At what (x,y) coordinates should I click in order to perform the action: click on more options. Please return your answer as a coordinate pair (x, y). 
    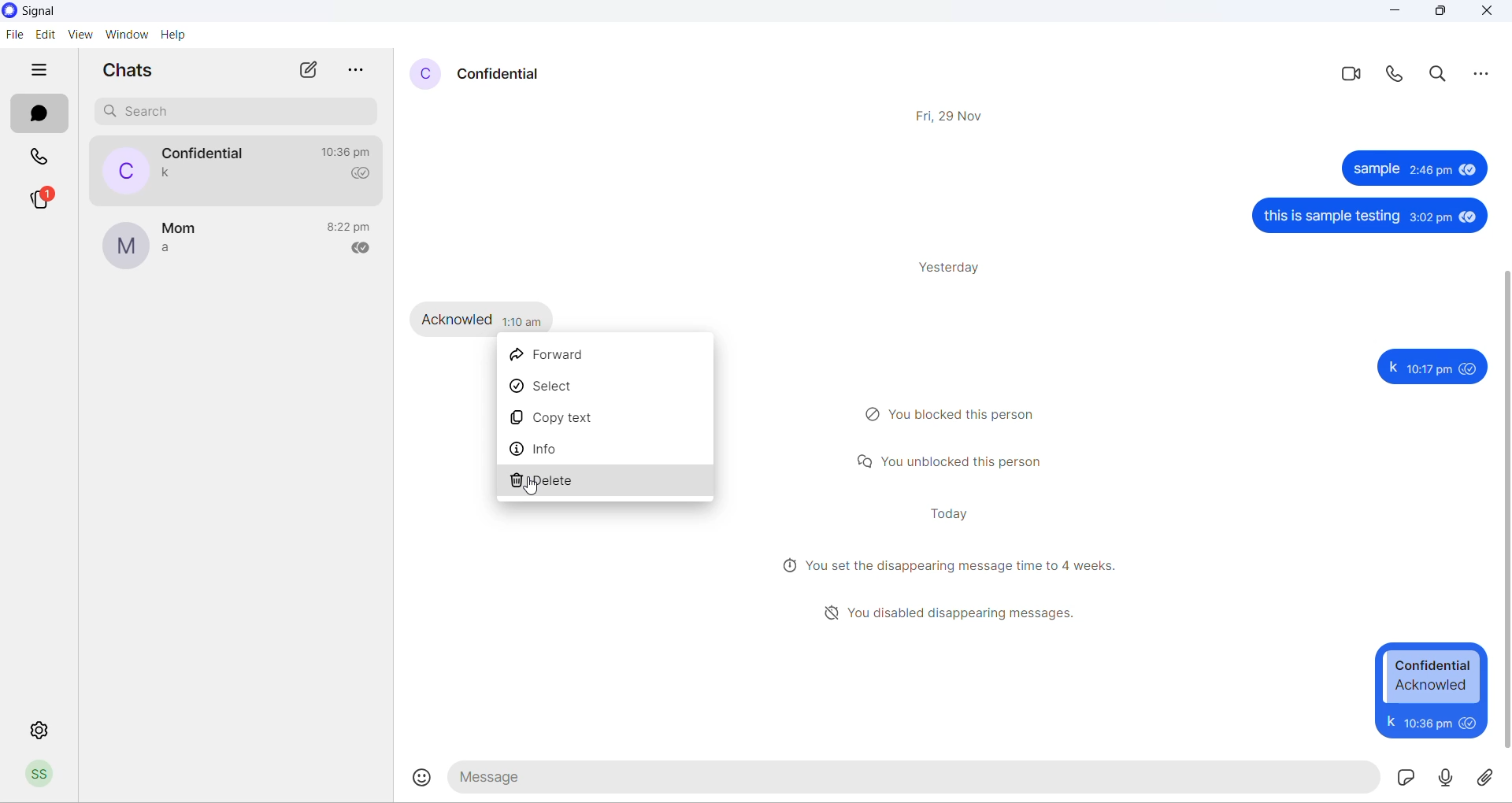
    Looking at the image, I should click on (365, 68).